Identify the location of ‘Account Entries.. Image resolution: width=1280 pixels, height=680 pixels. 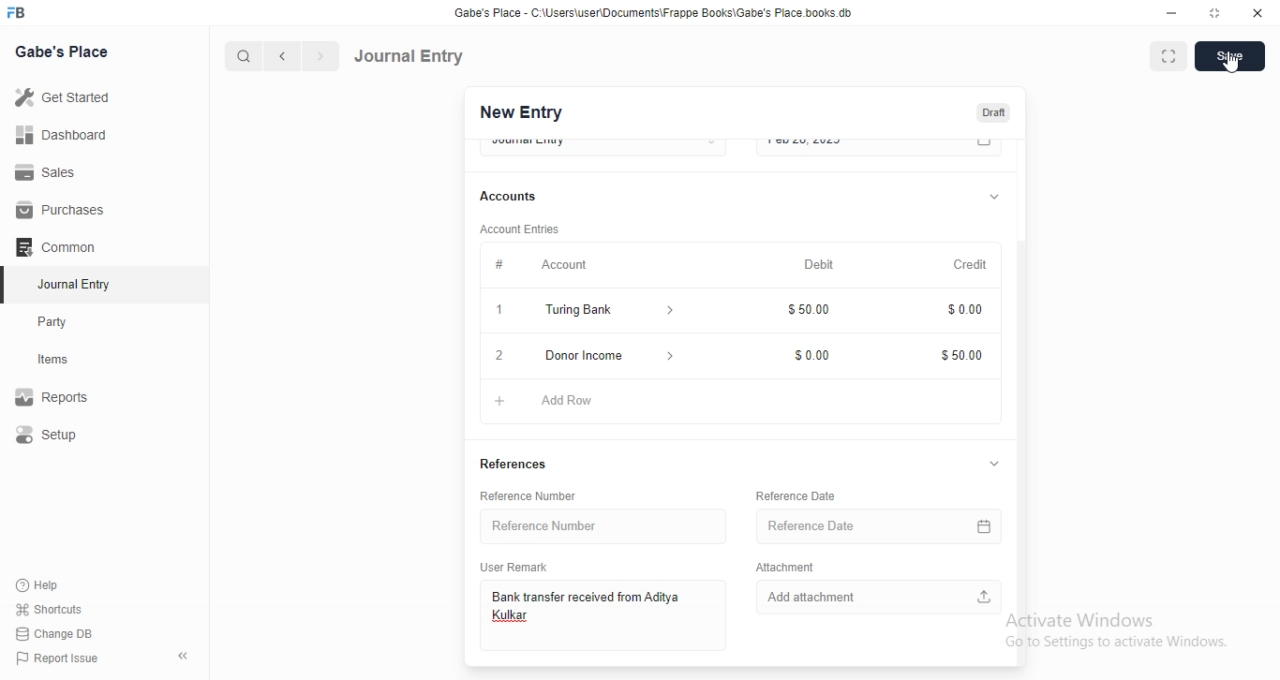
(522, 232).